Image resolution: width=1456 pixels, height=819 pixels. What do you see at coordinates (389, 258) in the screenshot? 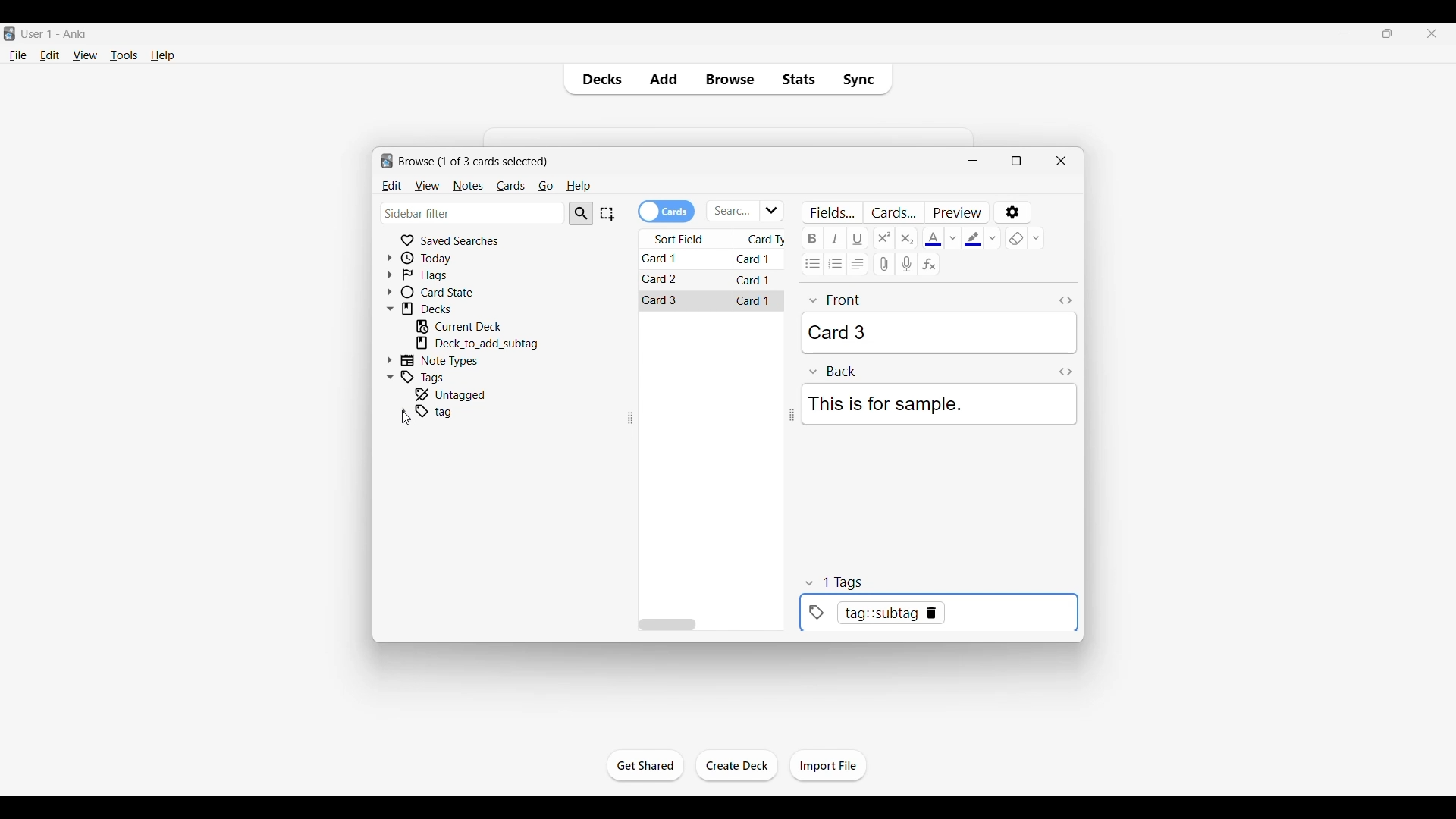
I see `Click to expand Today` at bounding box center [389, 258].